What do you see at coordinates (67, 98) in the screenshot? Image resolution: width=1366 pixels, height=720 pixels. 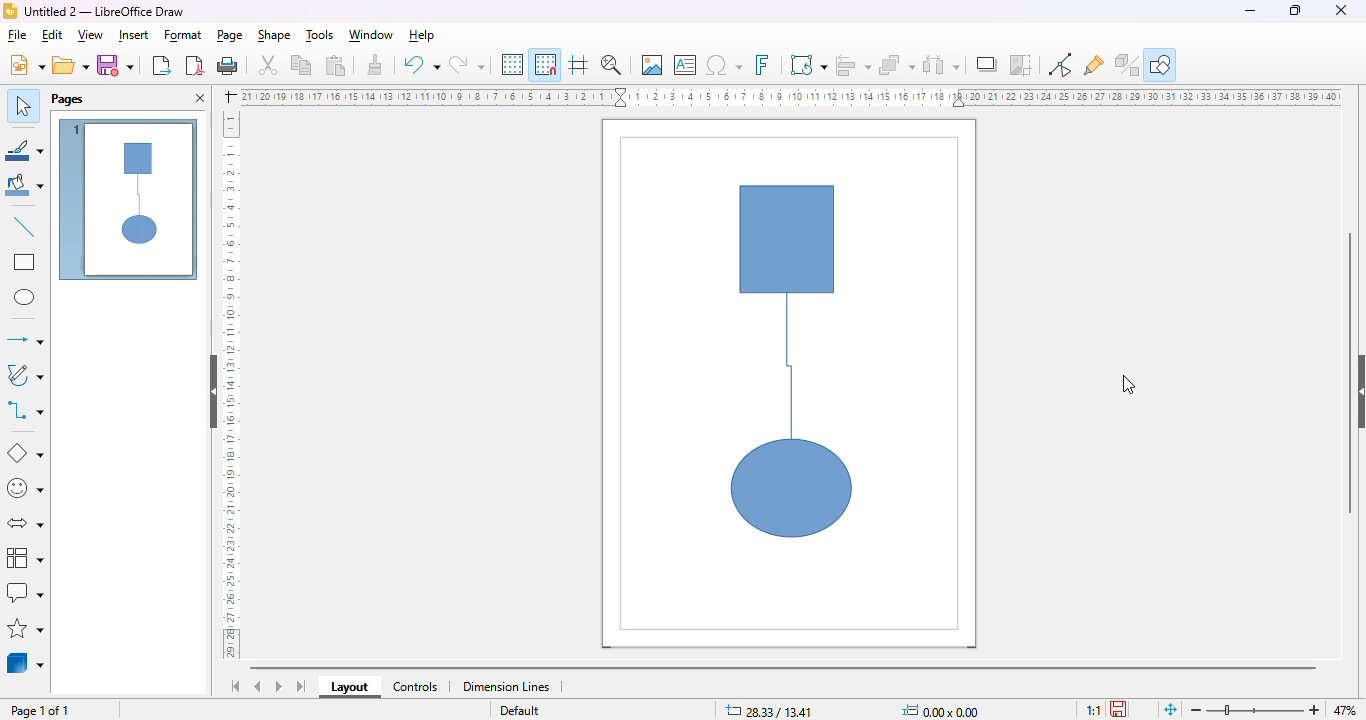 I see `pages` at bounding box center [67, 98].